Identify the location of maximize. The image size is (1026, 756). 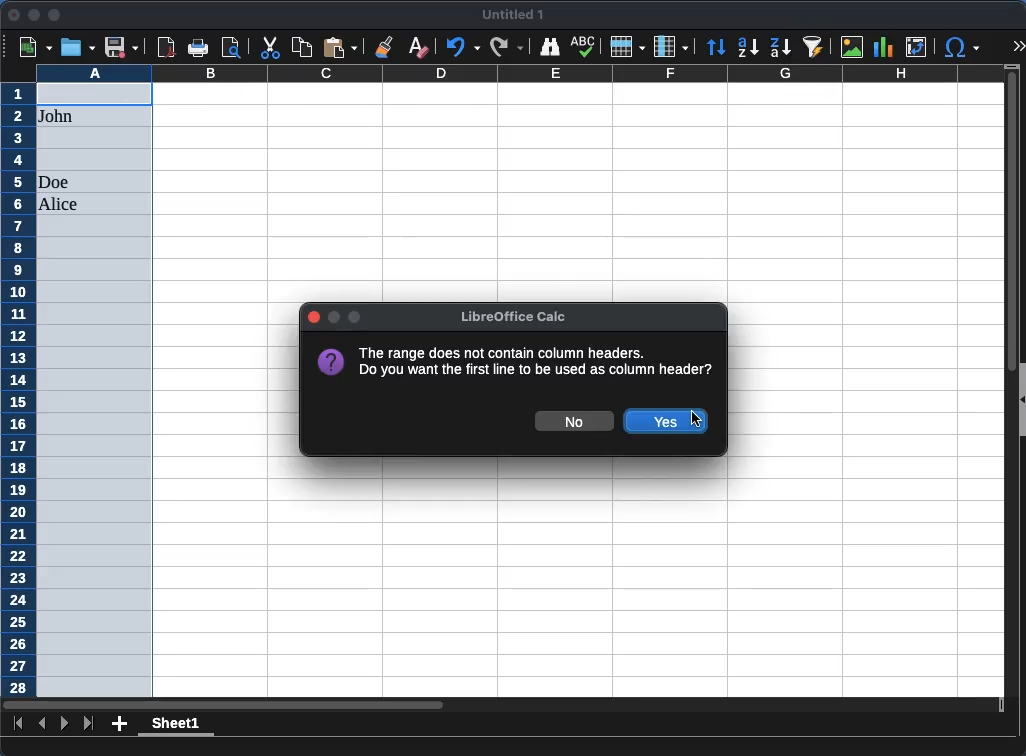
(53, 15).